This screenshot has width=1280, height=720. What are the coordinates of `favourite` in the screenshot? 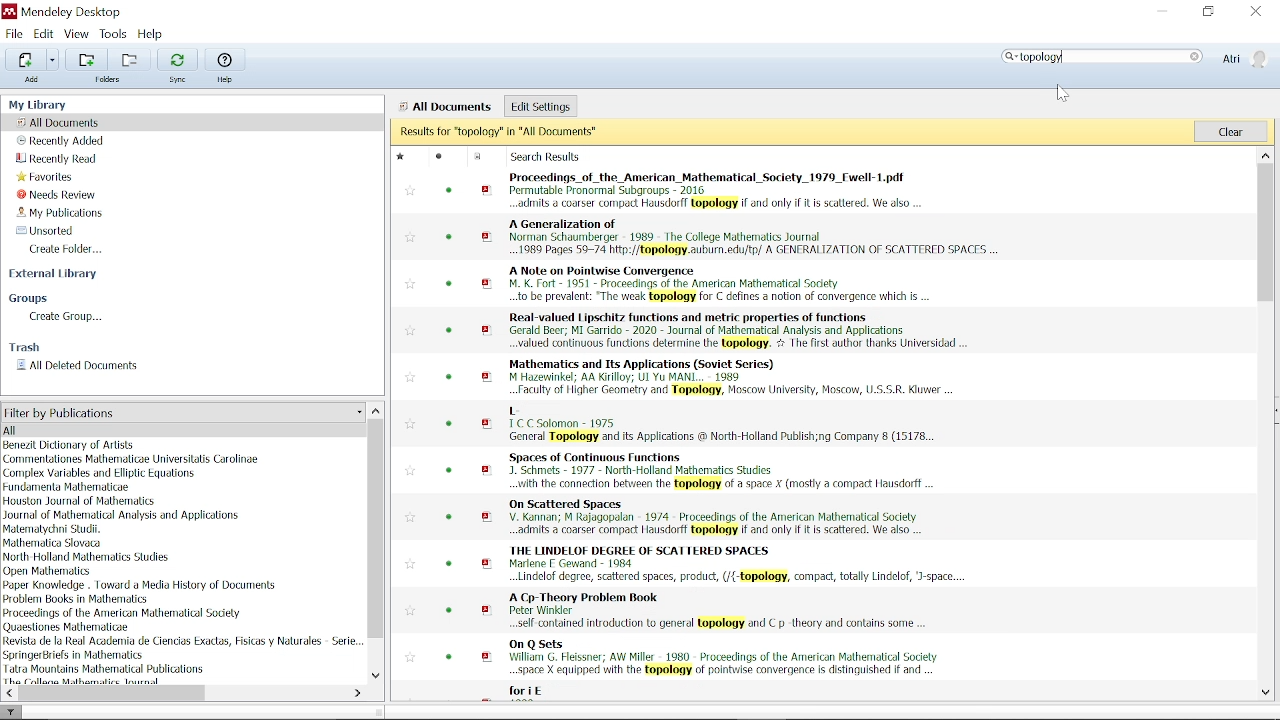 It's located at (409, 424).